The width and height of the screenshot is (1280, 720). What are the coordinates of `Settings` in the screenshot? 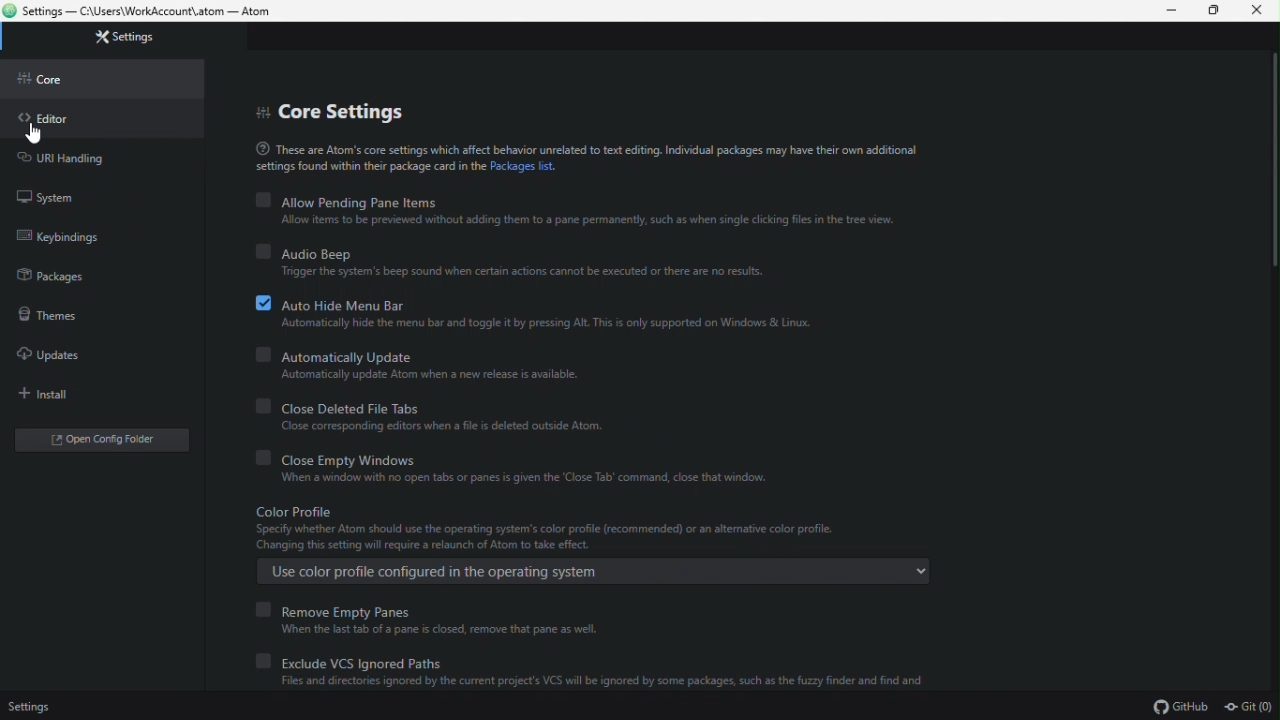 It's located at (31, 704).